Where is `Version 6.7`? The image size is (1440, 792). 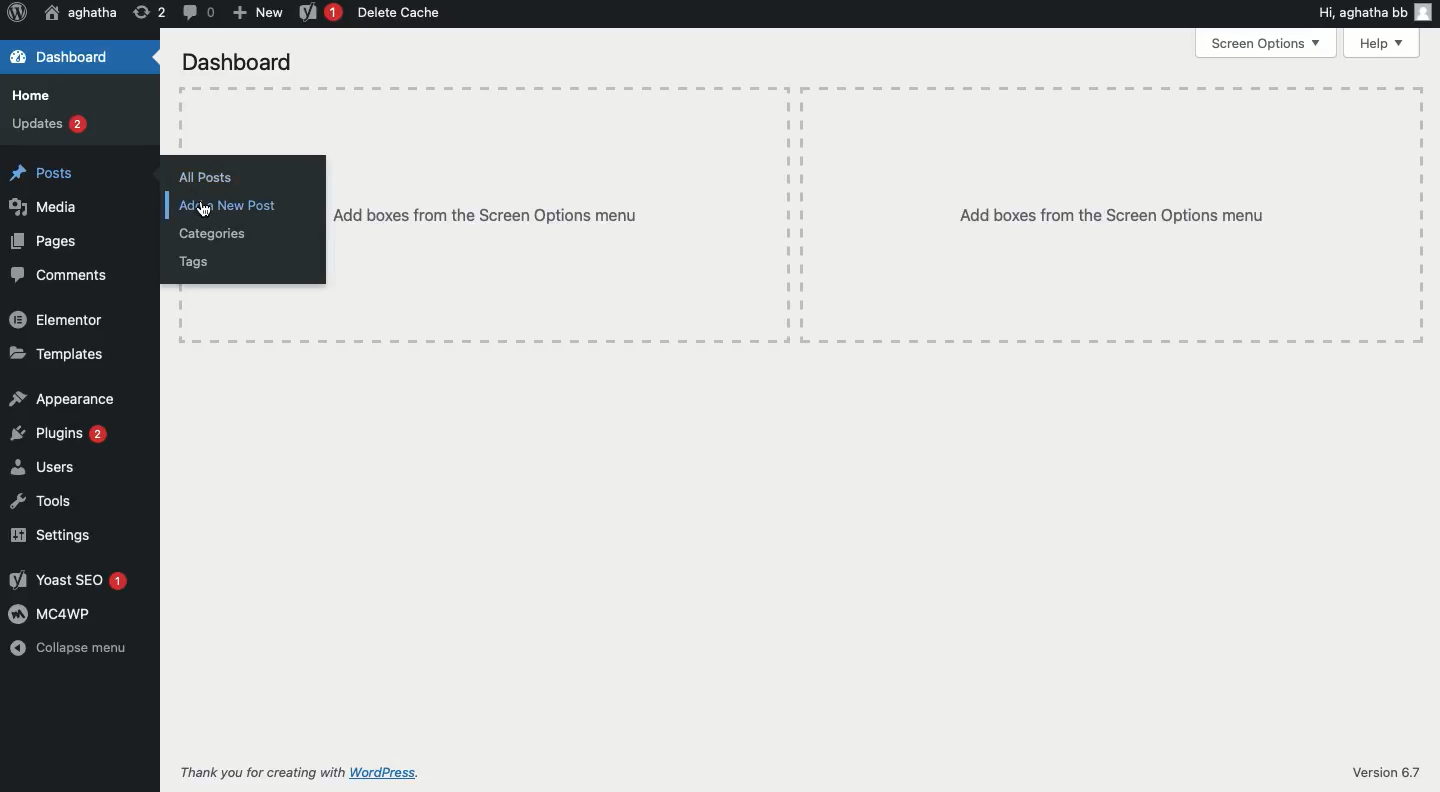 Version 6.7 is located at coordinates (1380, 770).